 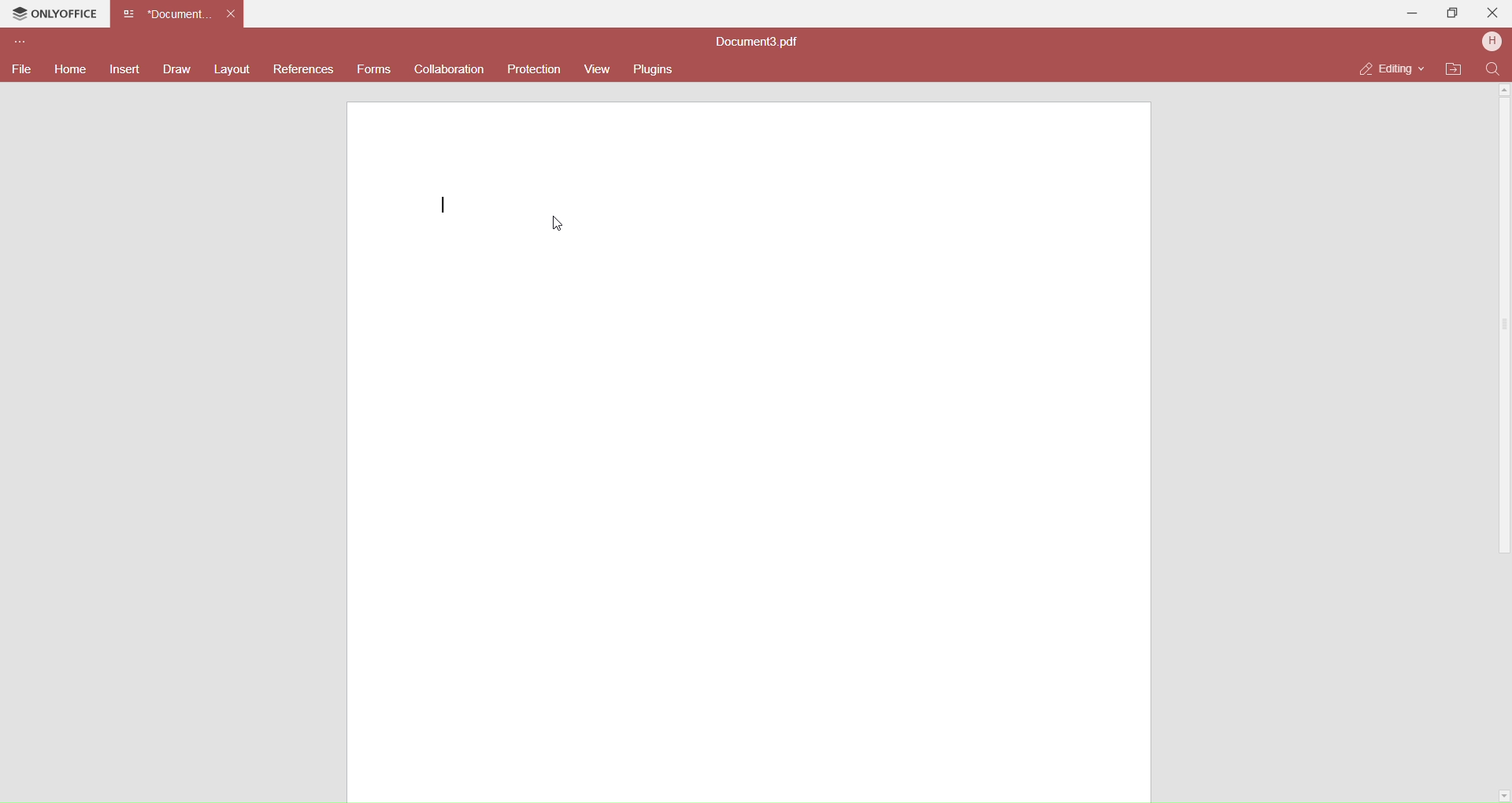 I want to click on Close, so click(x=1494, y=12).